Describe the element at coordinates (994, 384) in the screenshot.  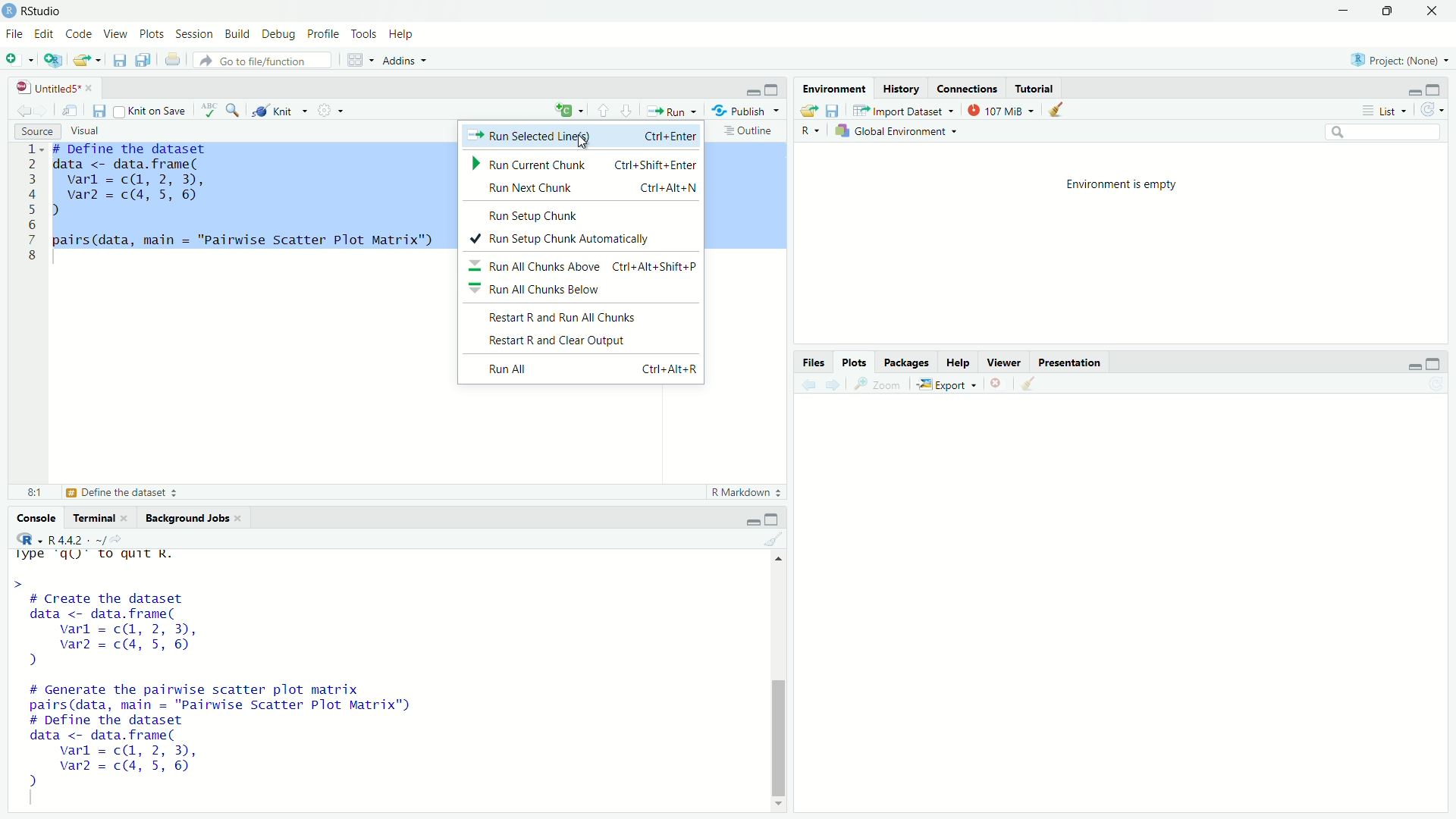
I see `Close` at that location.